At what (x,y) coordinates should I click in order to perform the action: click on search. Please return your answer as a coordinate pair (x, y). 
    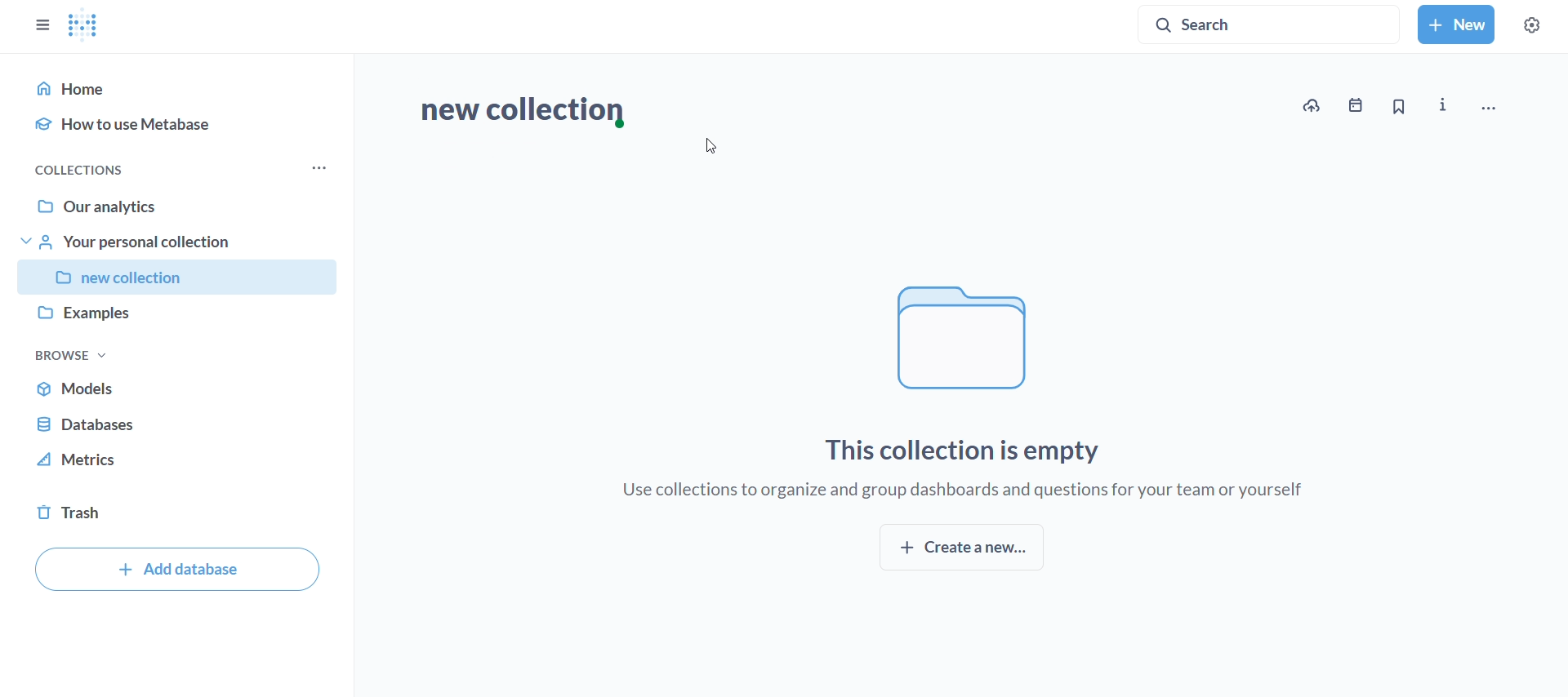
    Looking at the image, I should click on (1270, 22).